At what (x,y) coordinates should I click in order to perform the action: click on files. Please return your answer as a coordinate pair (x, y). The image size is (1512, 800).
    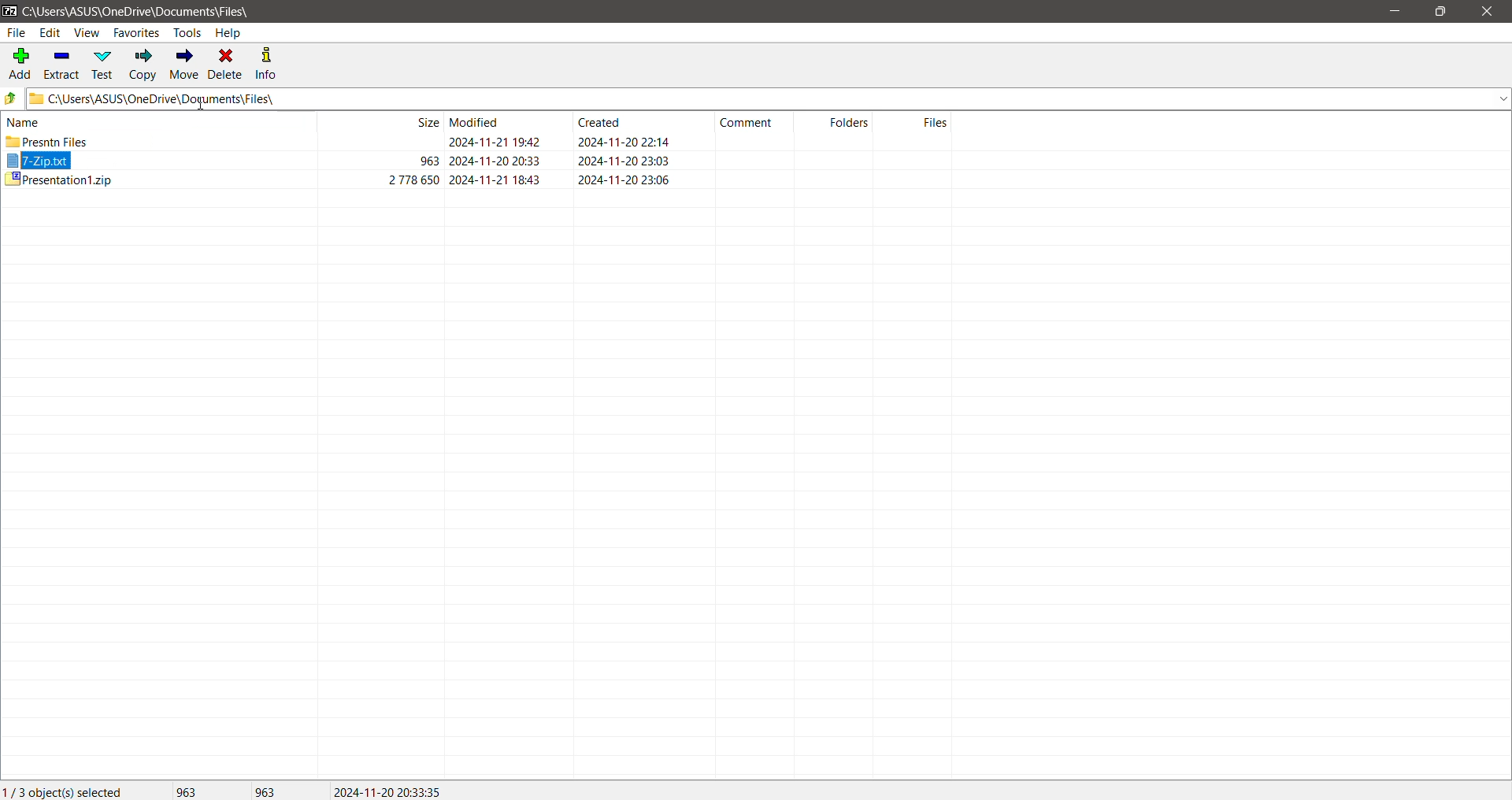
    Looking at the image, I should click on (936, 122).